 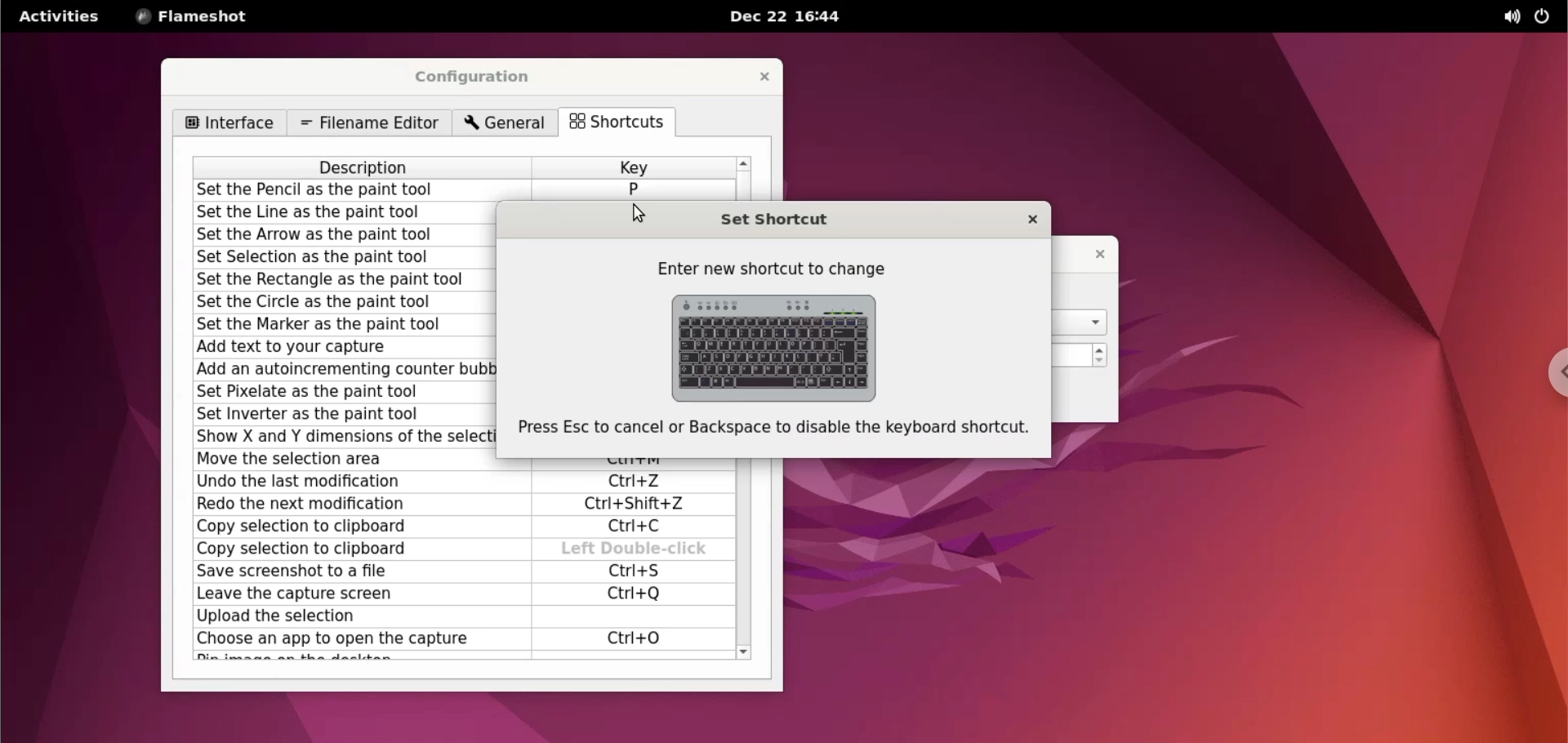 What do you see at coordinates (365, 191) in the screenshot?
I see `set the pencil as the paint tool` at bounding box center [365, 191].